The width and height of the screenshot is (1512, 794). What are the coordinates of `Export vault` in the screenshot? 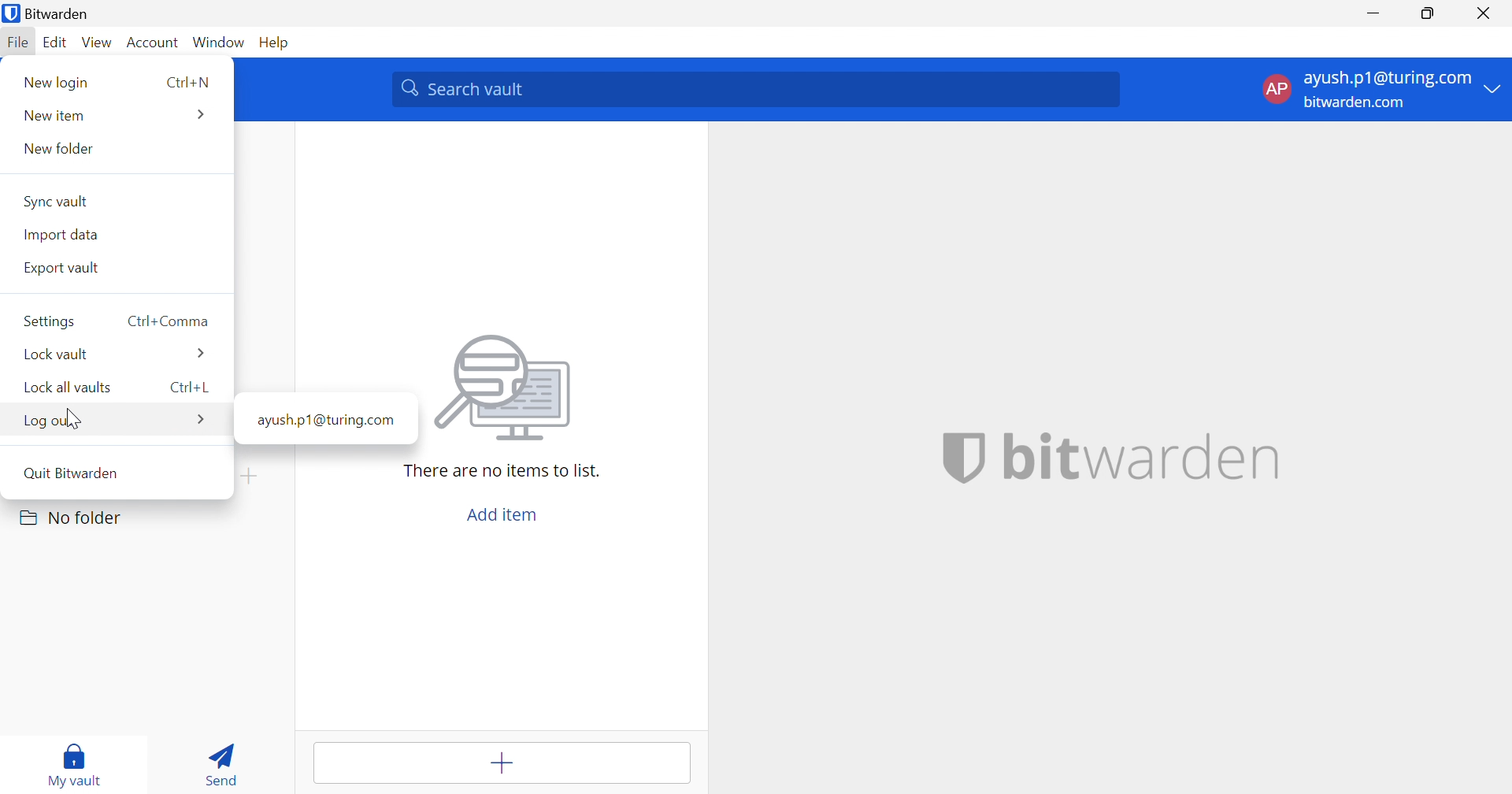 It's located at (63, 268).